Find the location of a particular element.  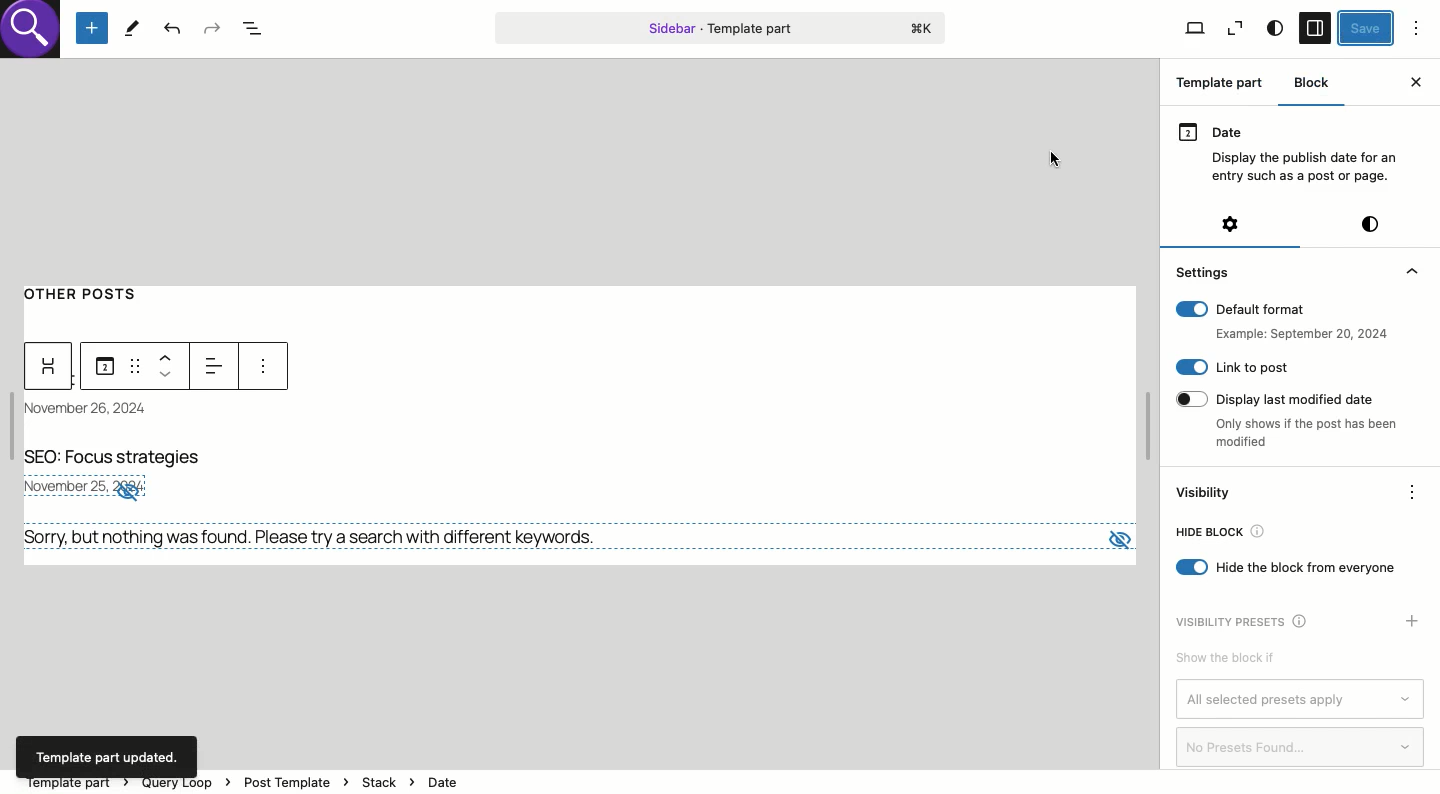

Template part updated is located at coordinates (109, 756).